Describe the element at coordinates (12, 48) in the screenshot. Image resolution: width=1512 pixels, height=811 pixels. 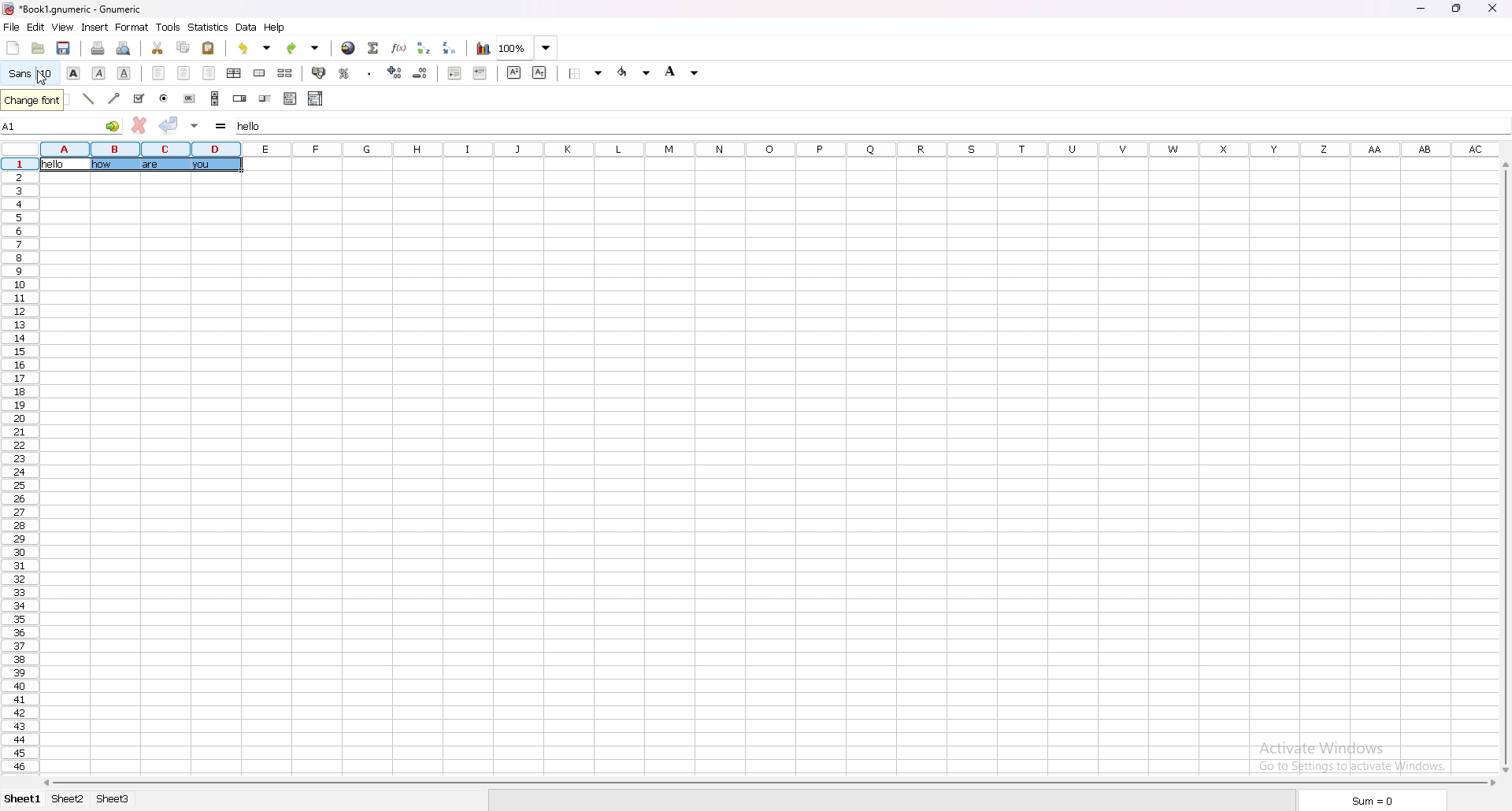
I see `new` at that location.